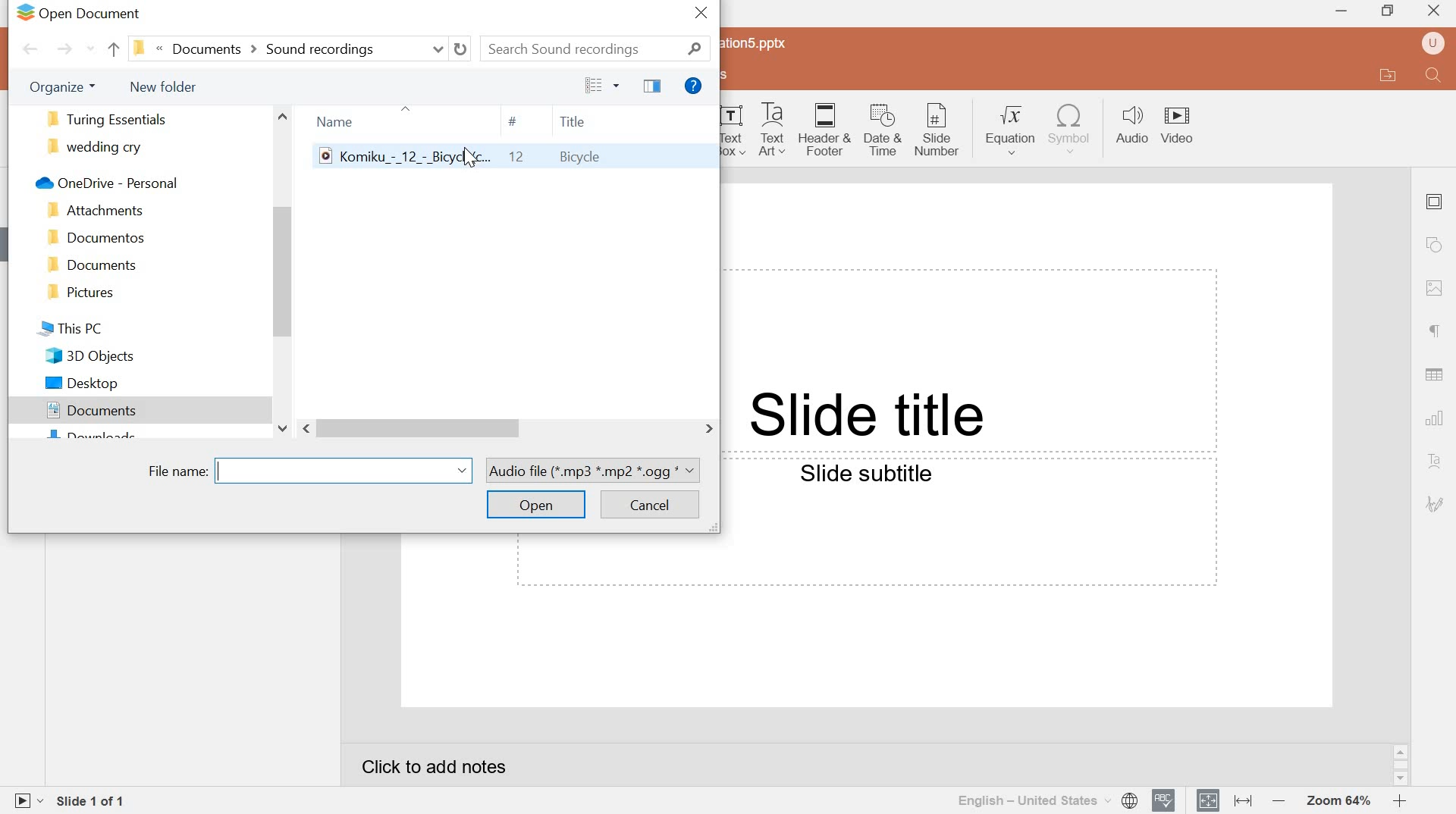 The image size is (1456, 814). Describe the element at coordinates (284, 116) in the screenshot. I see `scroll up` at that location.